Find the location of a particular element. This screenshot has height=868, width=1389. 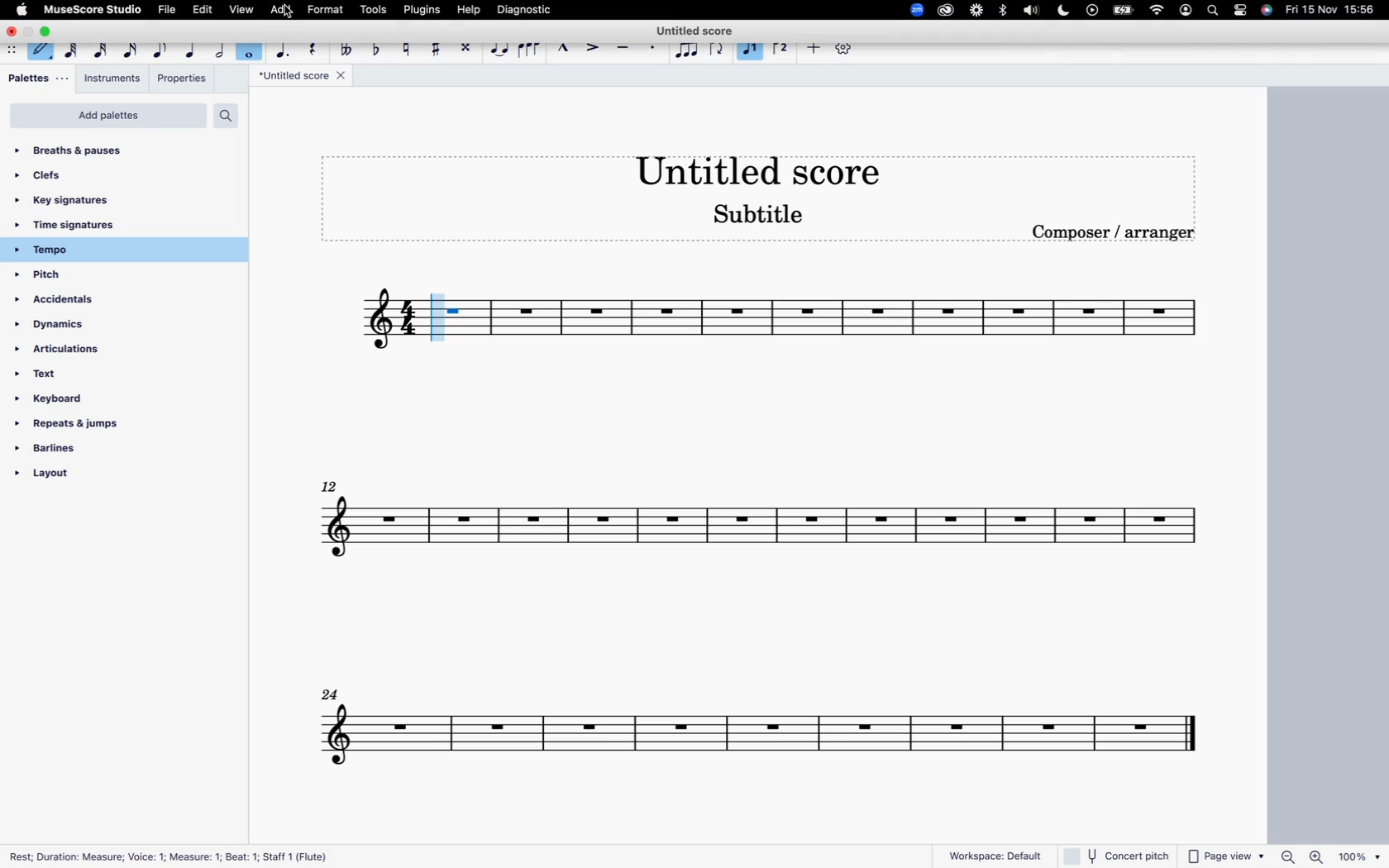

score title is located at coordinates (302, 78).